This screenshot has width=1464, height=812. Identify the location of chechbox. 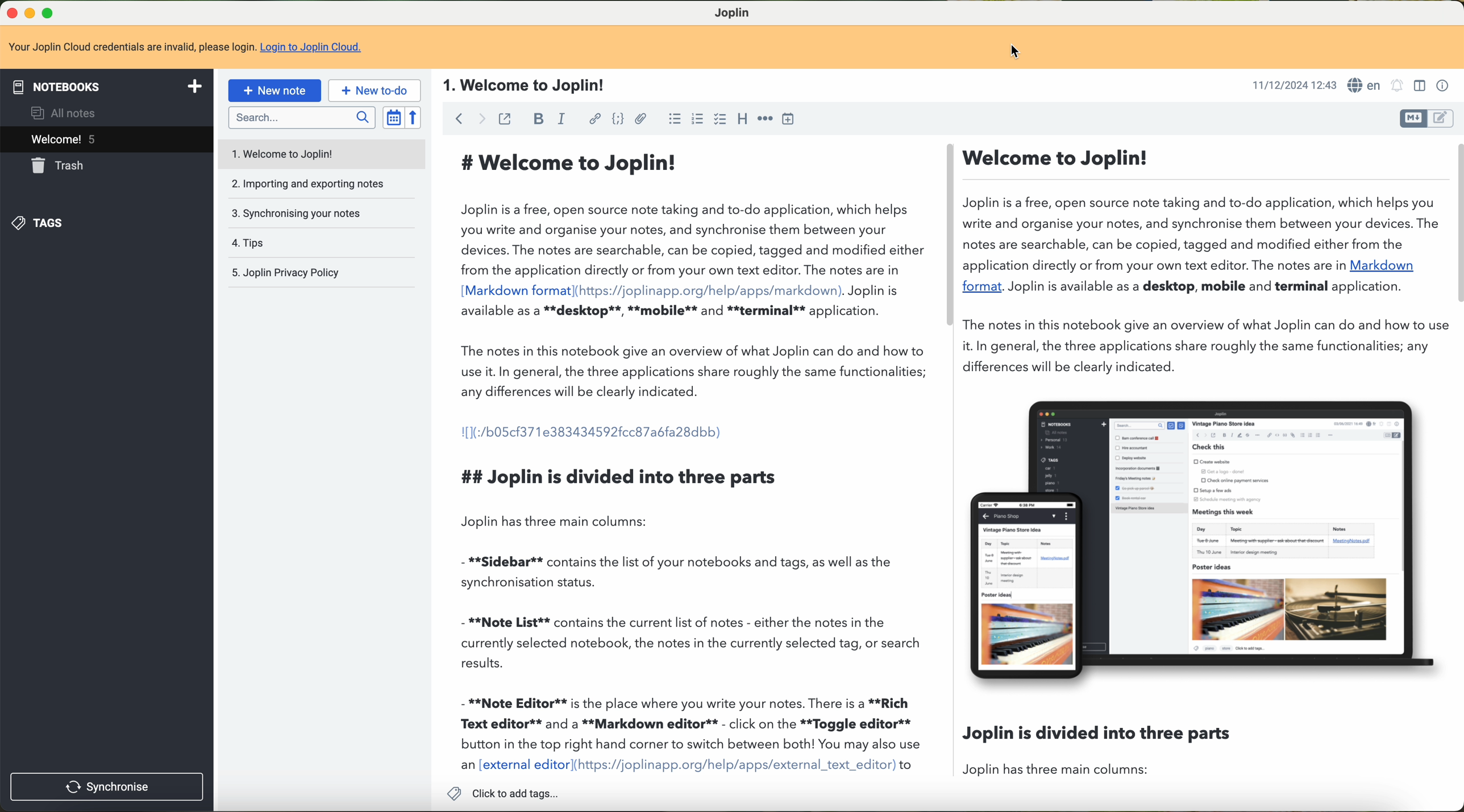
(719, 120).